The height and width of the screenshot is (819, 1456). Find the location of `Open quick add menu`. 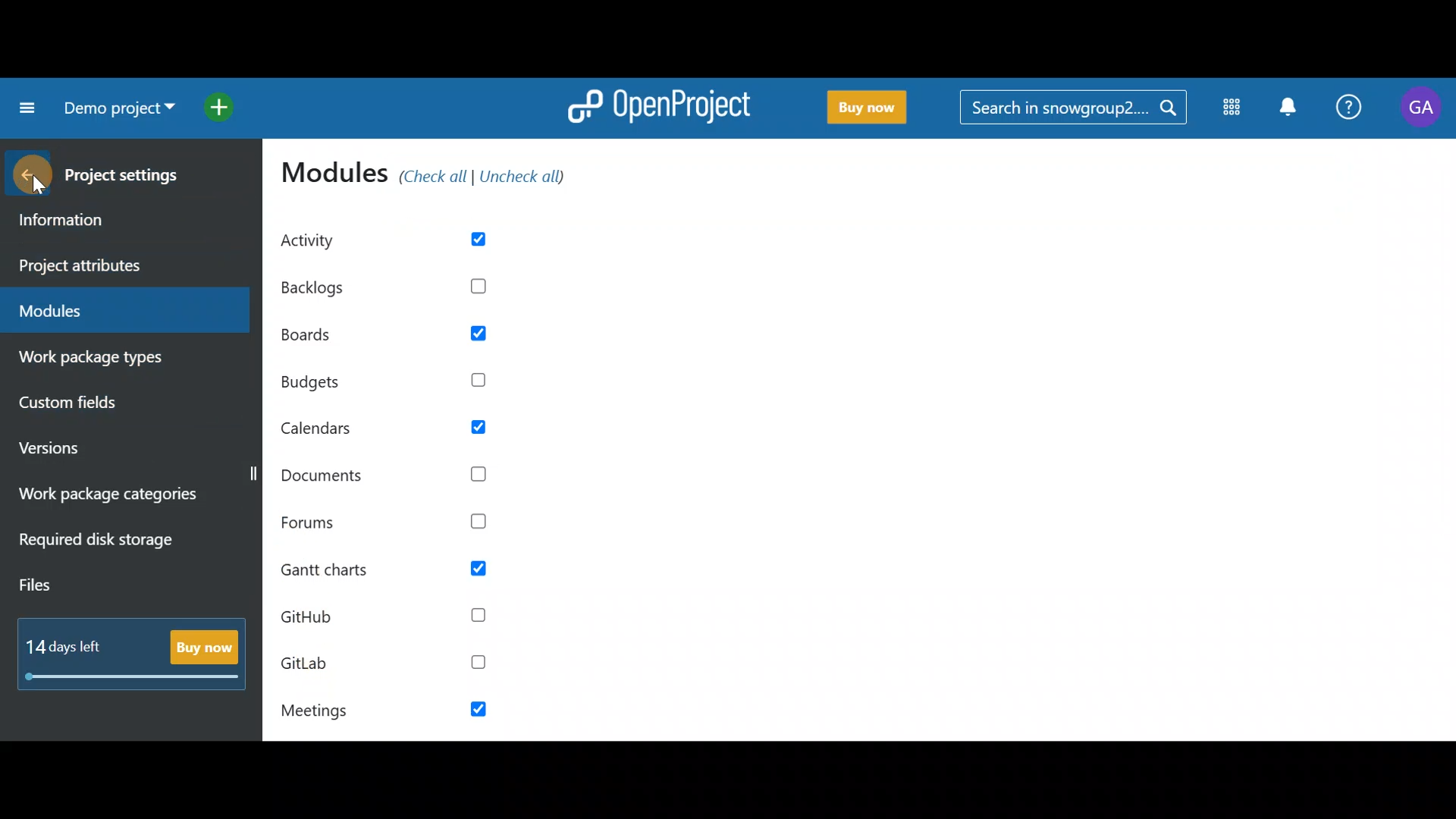

Open quick add menu is located at coordinates (223, 106).